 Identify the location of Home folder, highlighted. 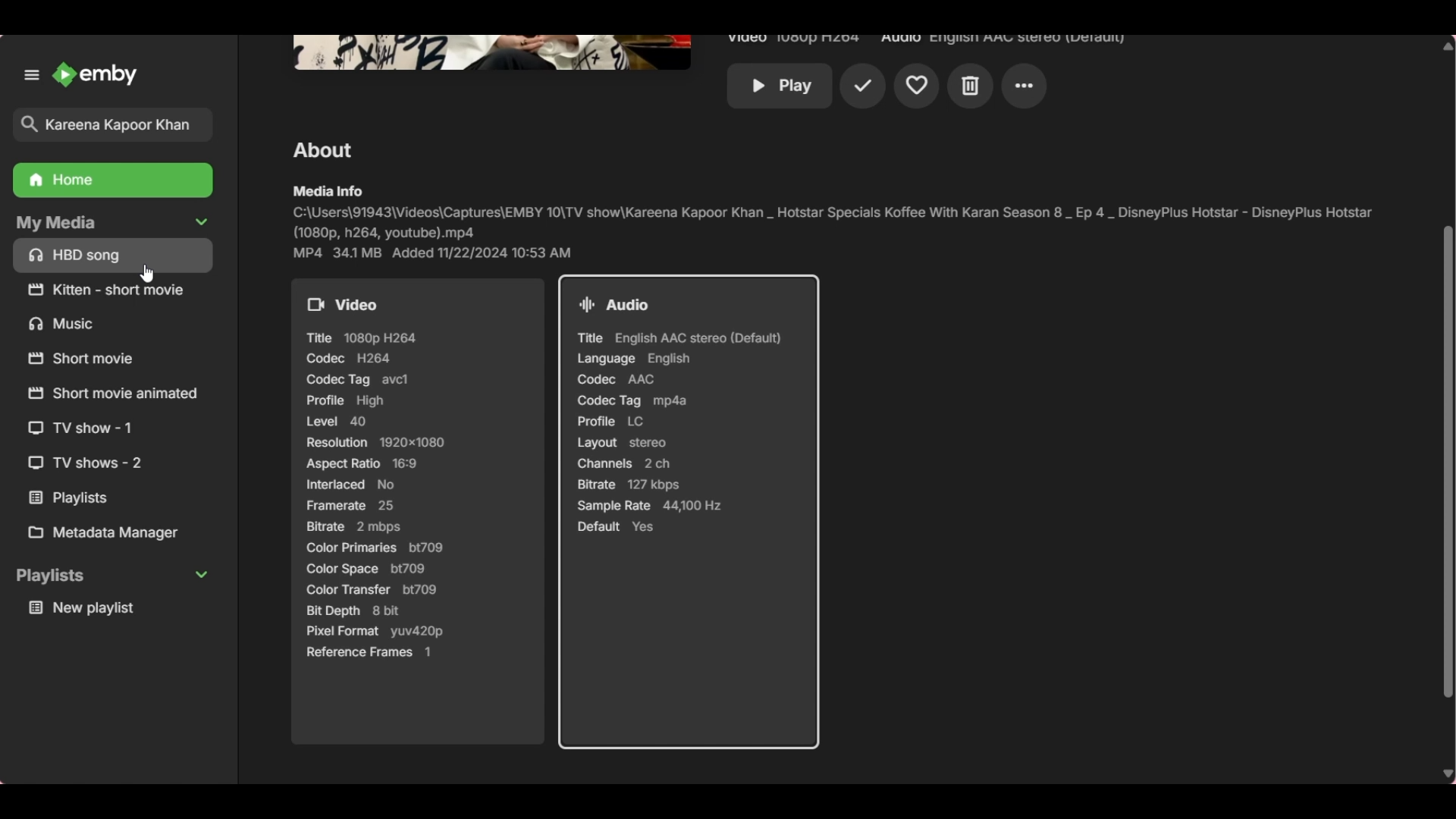
(113, 180).